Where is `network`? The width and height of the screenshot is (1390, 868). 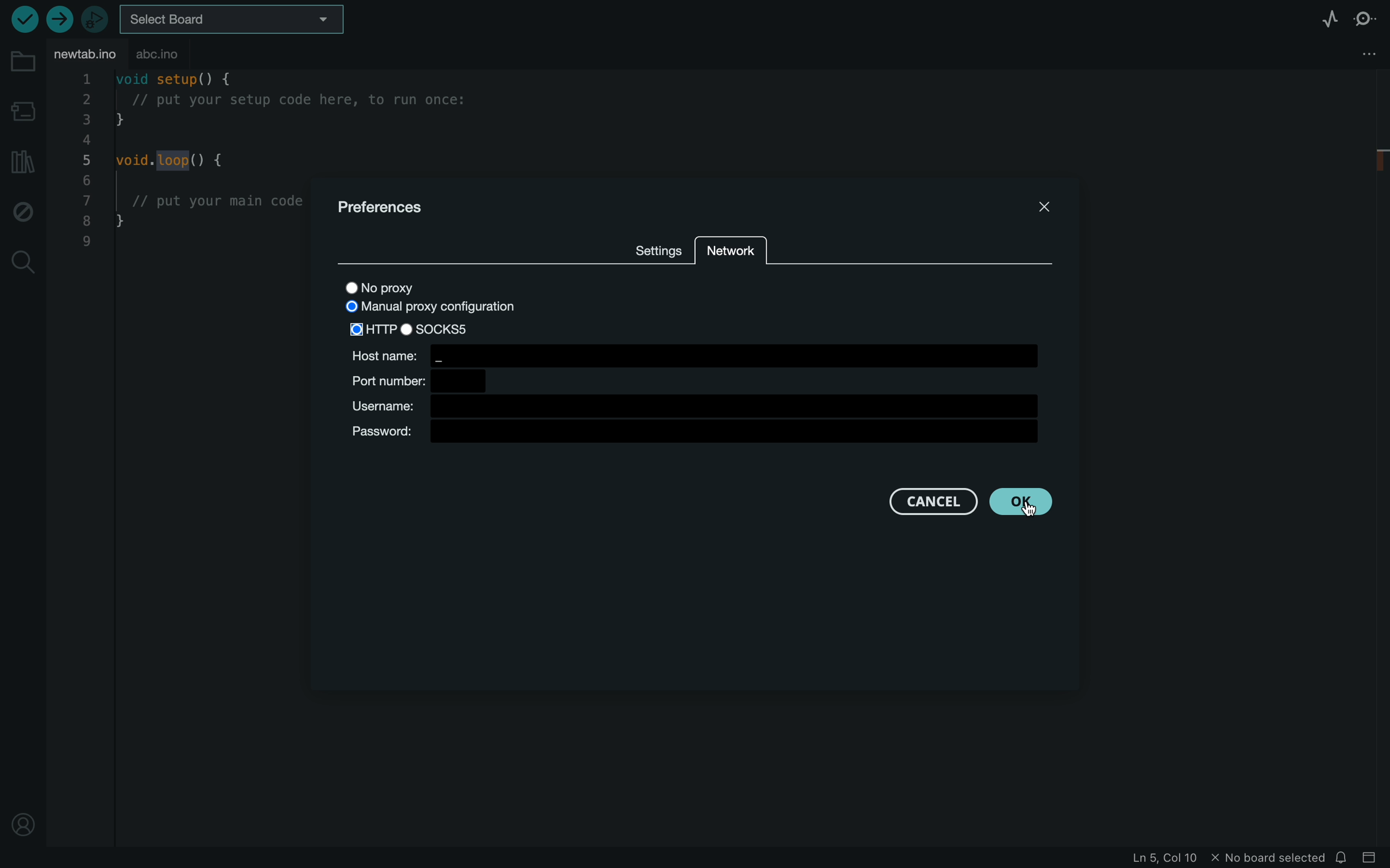
network is located at coordinates (732, 252).